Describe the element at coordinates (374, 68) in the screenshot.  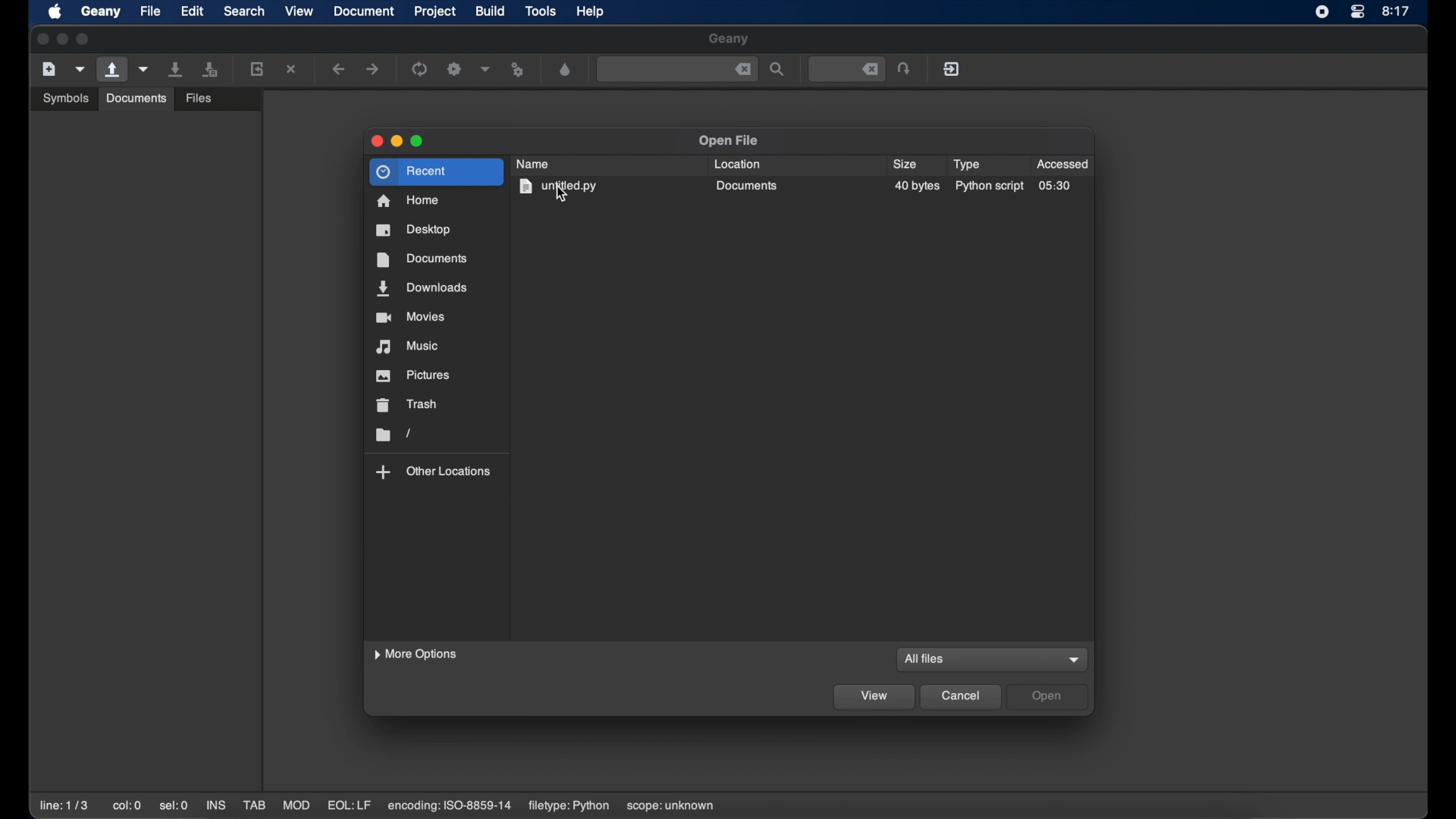
I see `navigate forward a location` at that location.